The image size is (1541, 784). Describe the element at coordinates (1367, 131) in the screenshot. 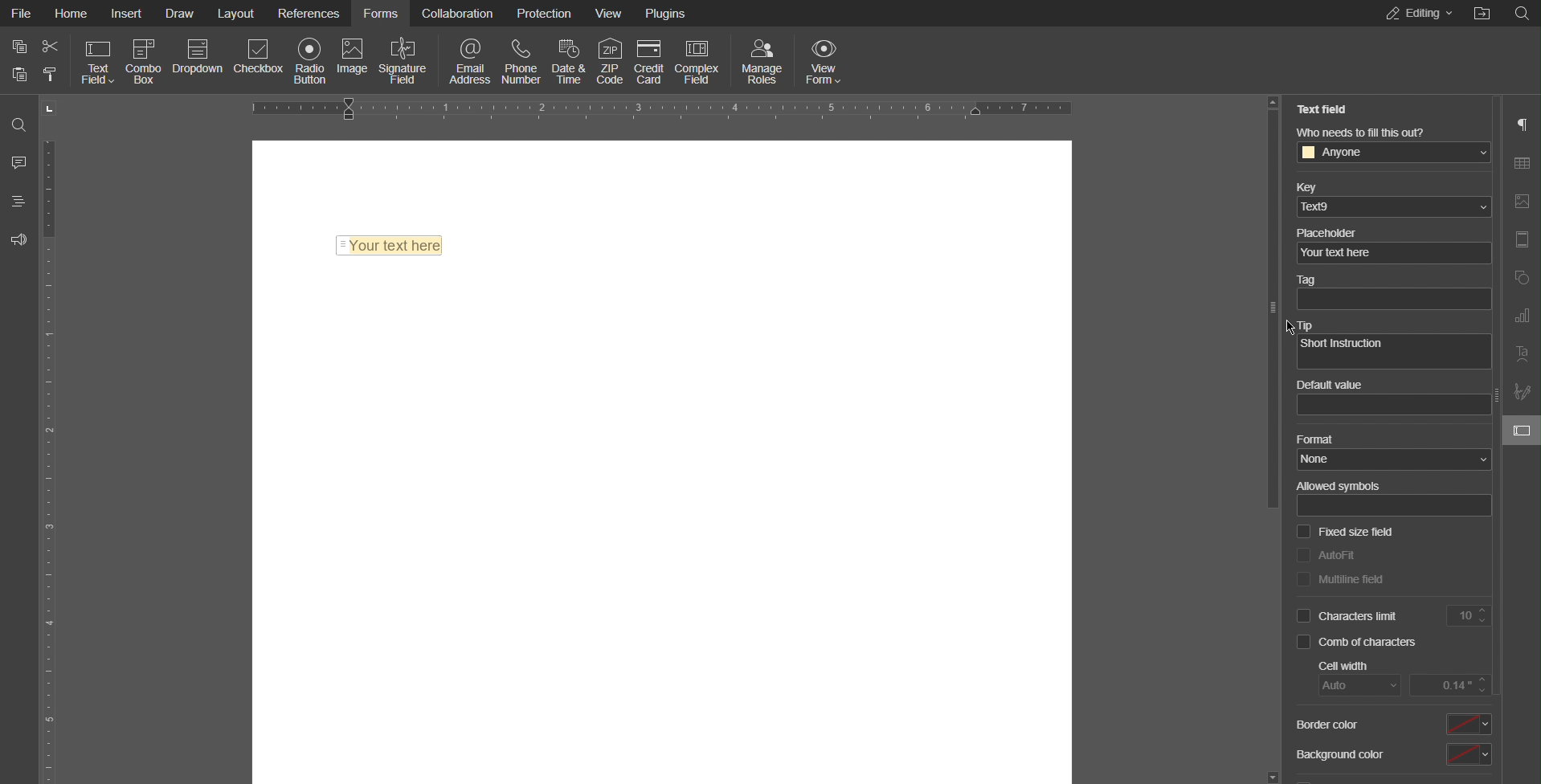

I see `Who needs to fill this out` at that location.